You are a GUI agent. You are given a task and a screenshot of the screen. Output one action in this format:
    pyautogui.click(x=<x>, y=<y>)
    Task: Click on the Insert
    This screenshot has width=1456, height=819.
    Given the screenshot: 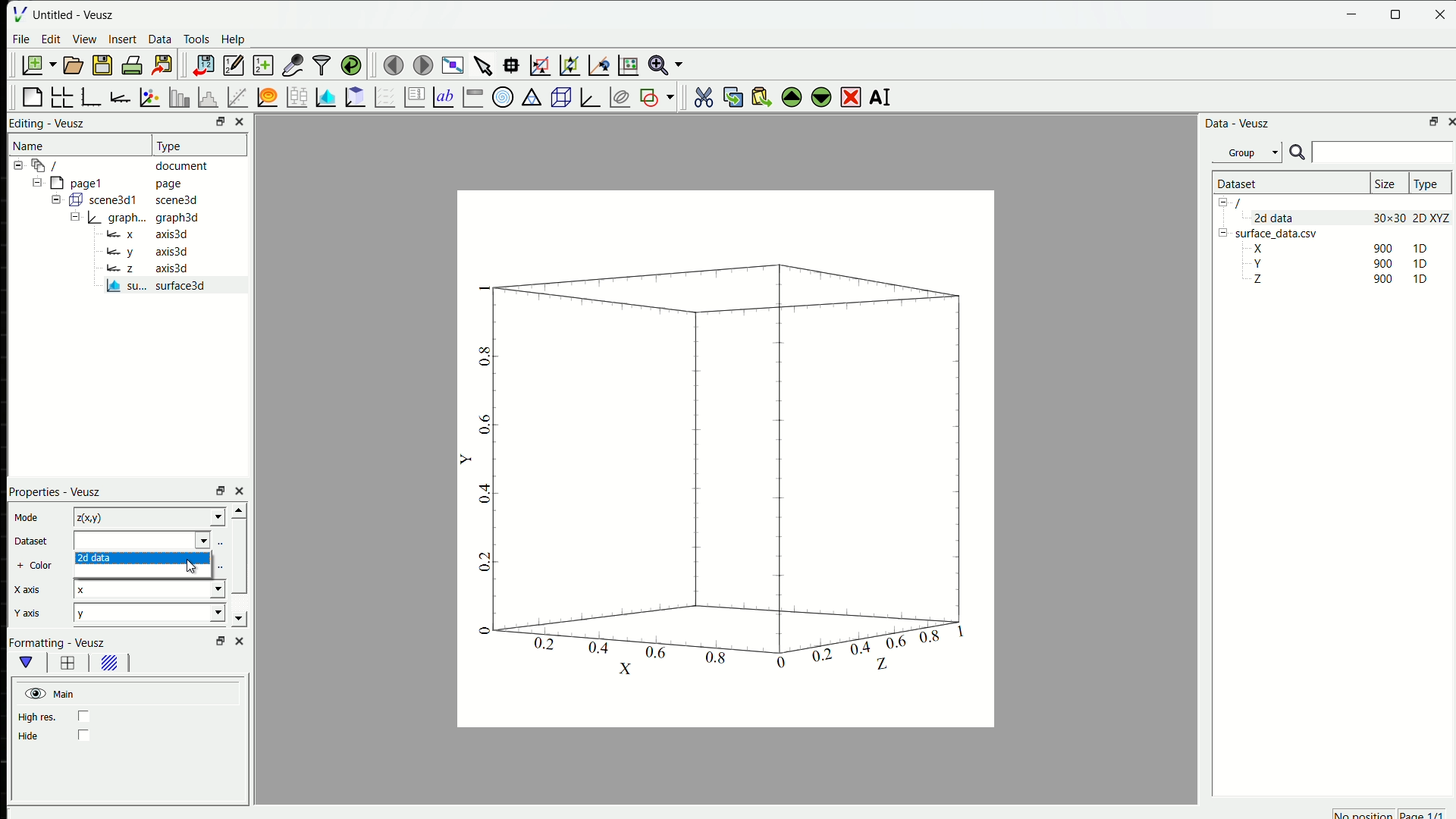 What is the action you would take?
    pyautogui.click(x=125, y=39)
    